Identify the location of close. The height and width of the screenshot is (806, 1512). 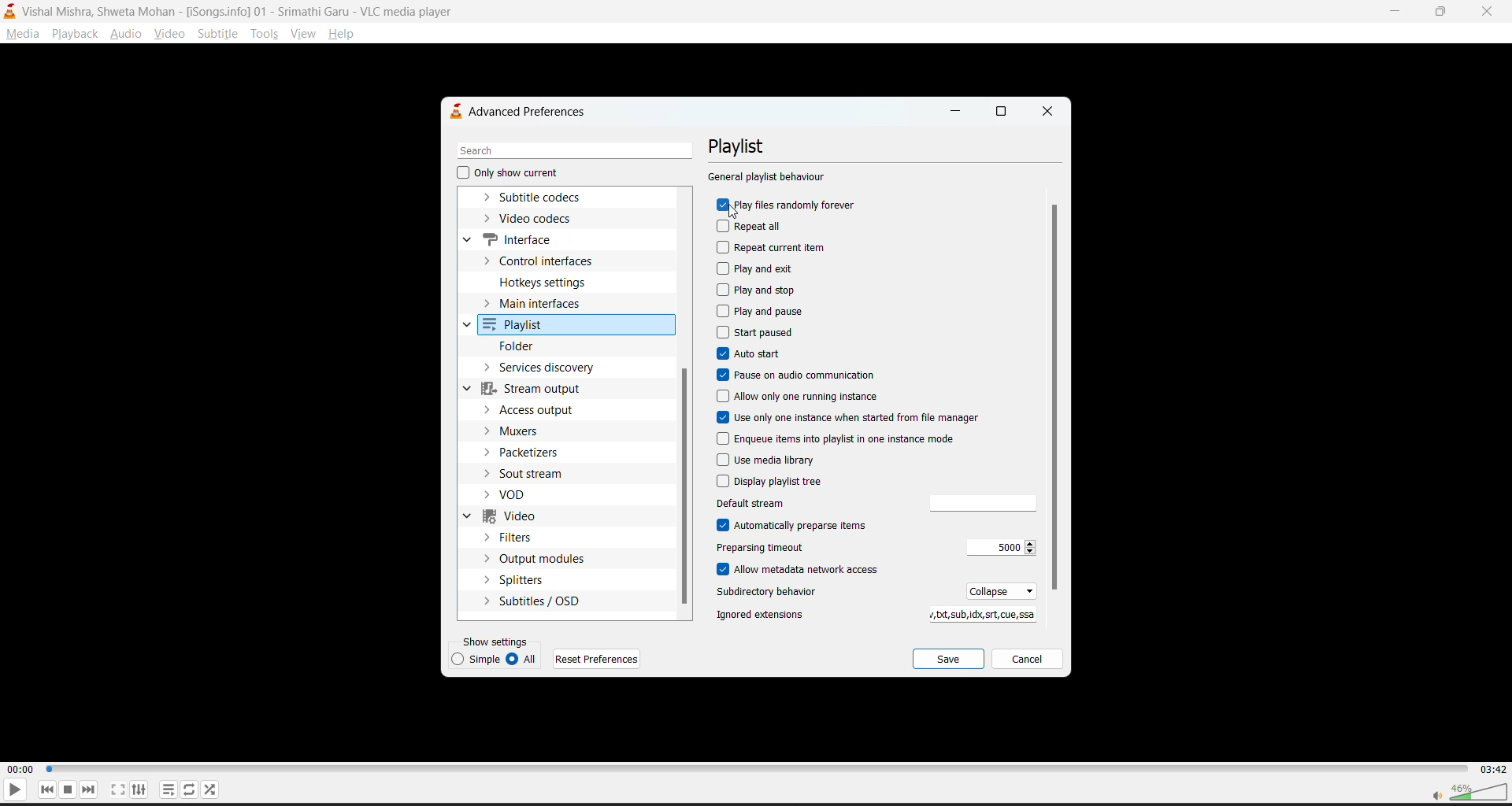
(1048, 110).